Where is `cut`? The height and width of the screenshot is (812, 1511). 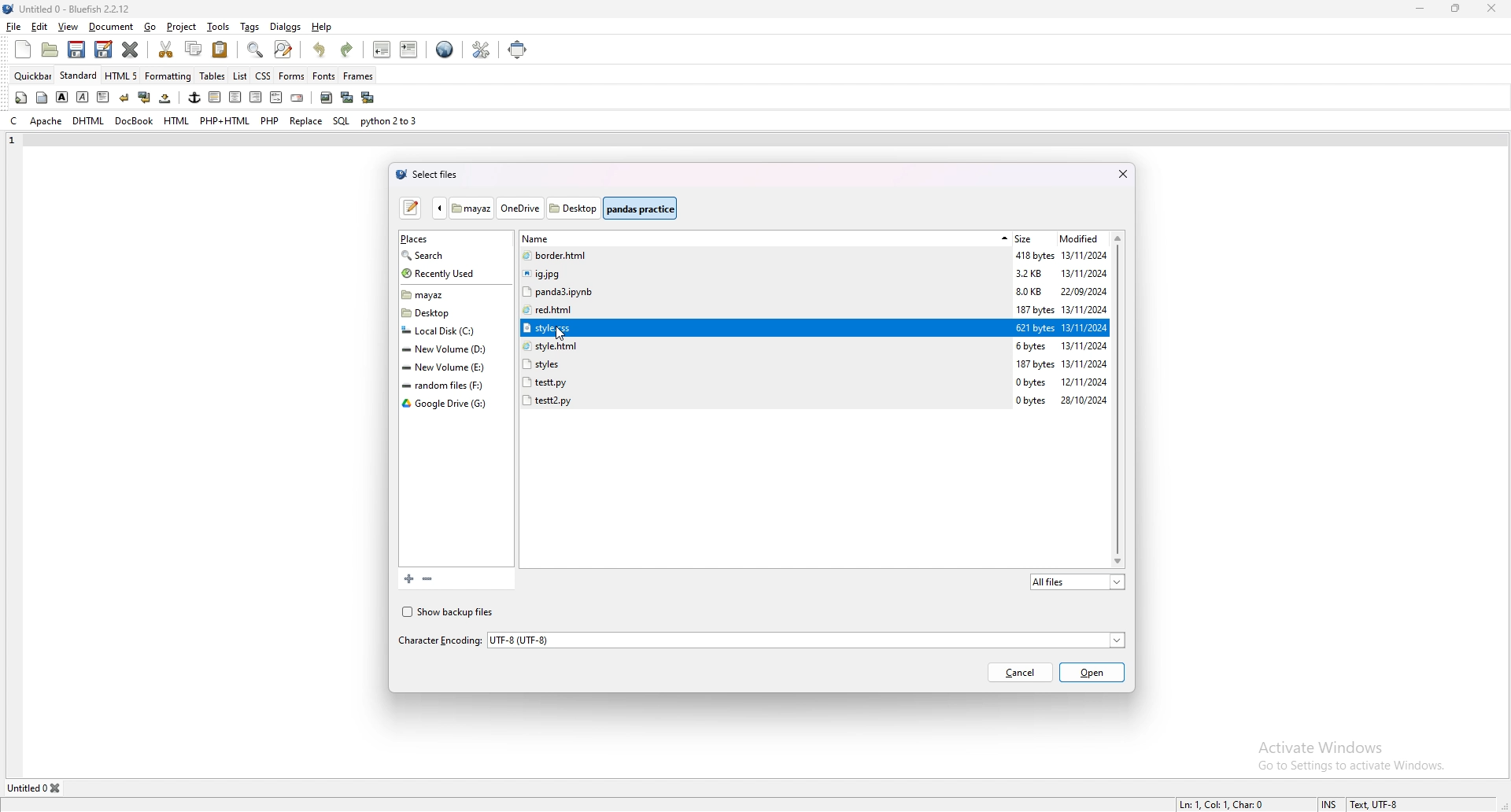 cut is located at coordinates (167, 49).